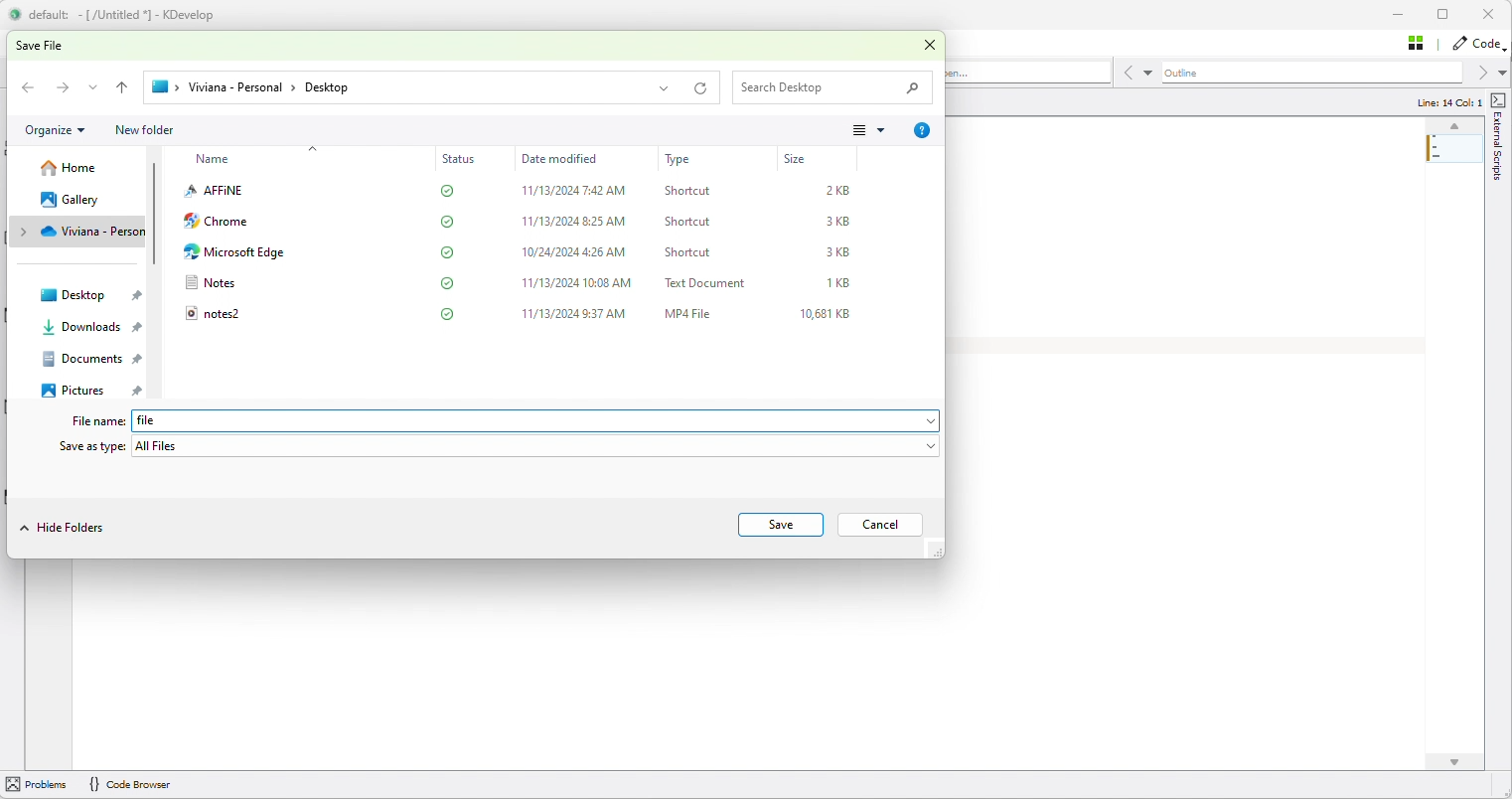 The height and width of the screenshot is (799, 1512). What do you see at coordinates (89, 359) in the screenshot?
I see `Documents` at bounding box center [89, 359].